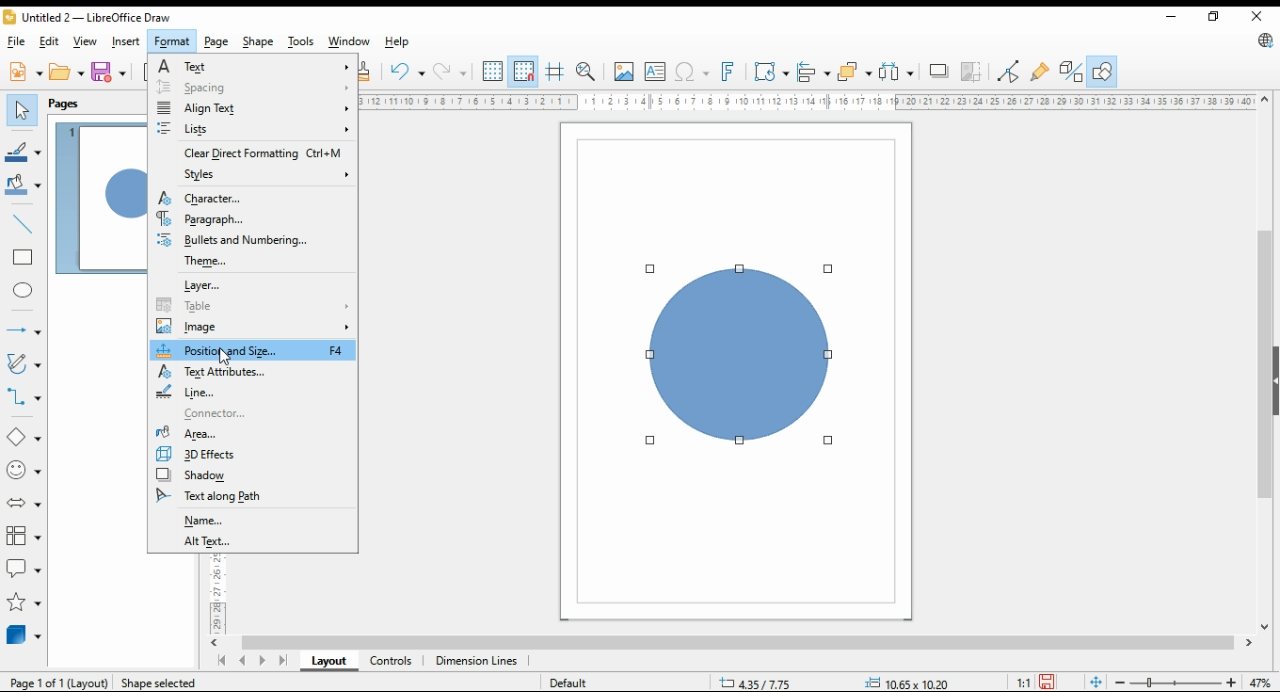 This screenshot has height=692, width=1280. I want to click on help, so click(400, 42).